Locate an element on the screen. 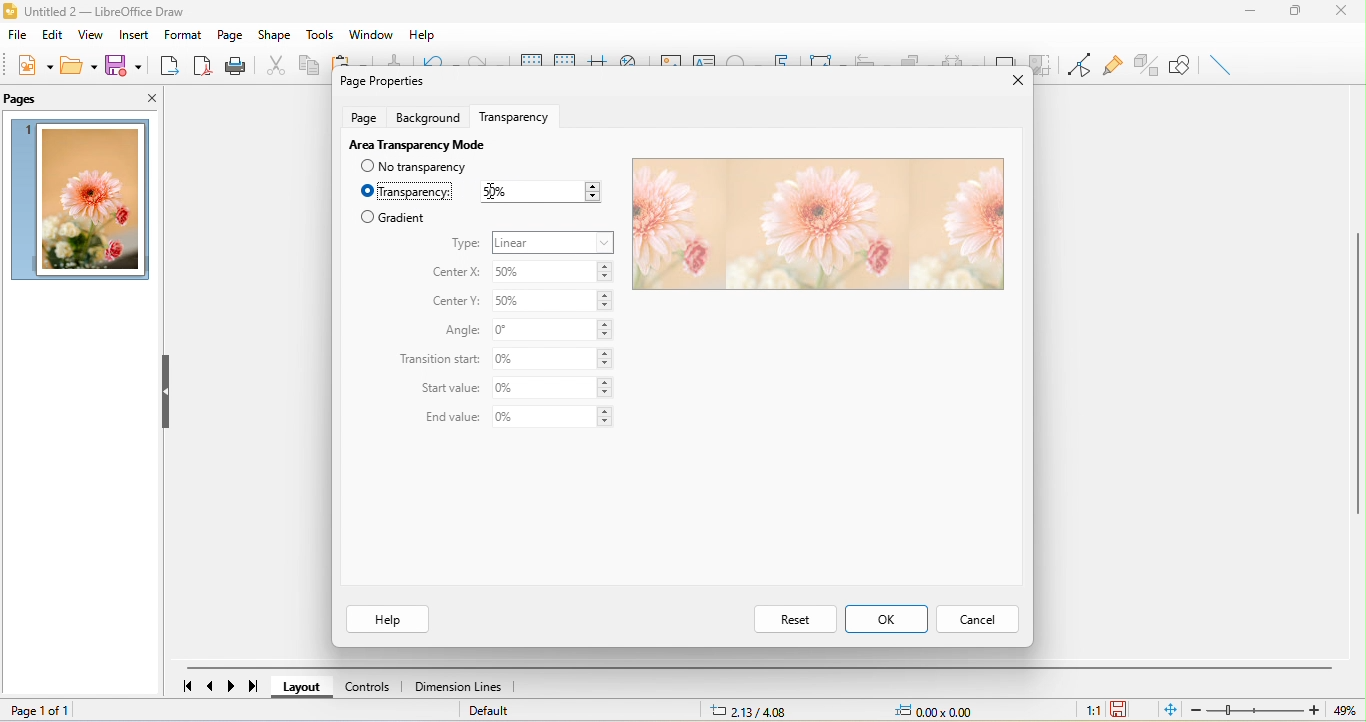 This screenshot has width=1366, height=722. help is located at coordinates (425, 31).